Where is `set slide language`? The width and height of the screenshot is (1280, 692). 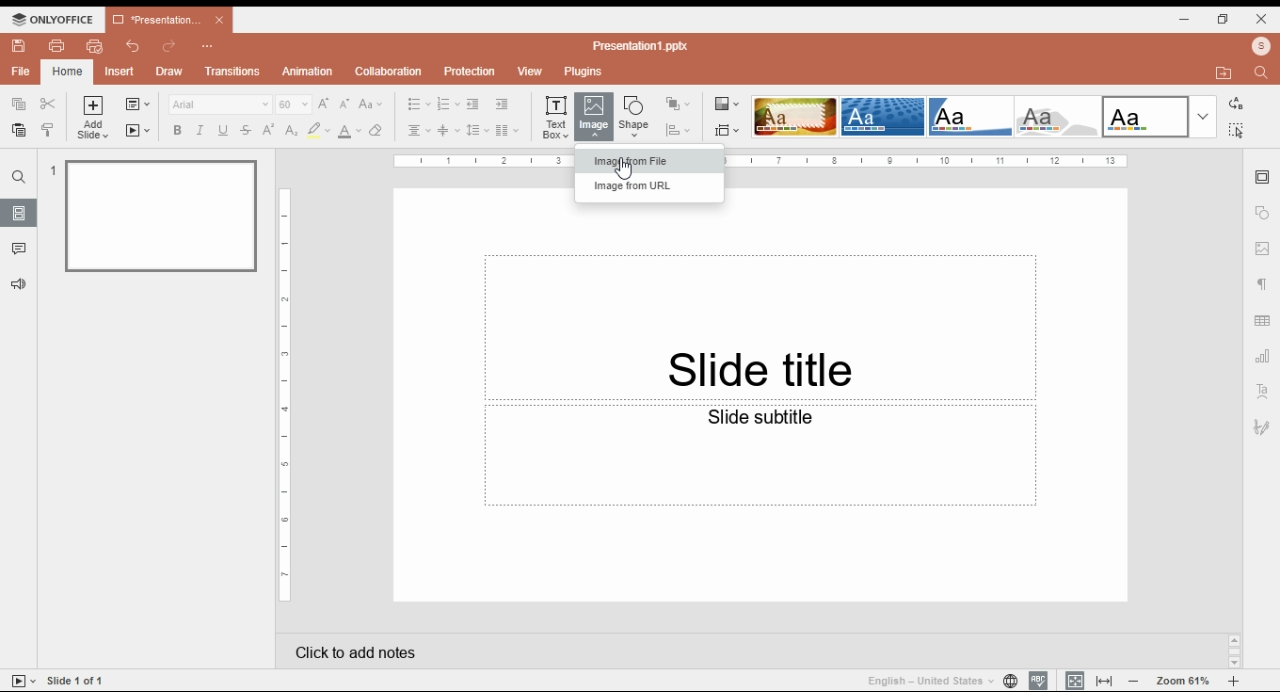 set slide language is located at coordinates (1010, 680).